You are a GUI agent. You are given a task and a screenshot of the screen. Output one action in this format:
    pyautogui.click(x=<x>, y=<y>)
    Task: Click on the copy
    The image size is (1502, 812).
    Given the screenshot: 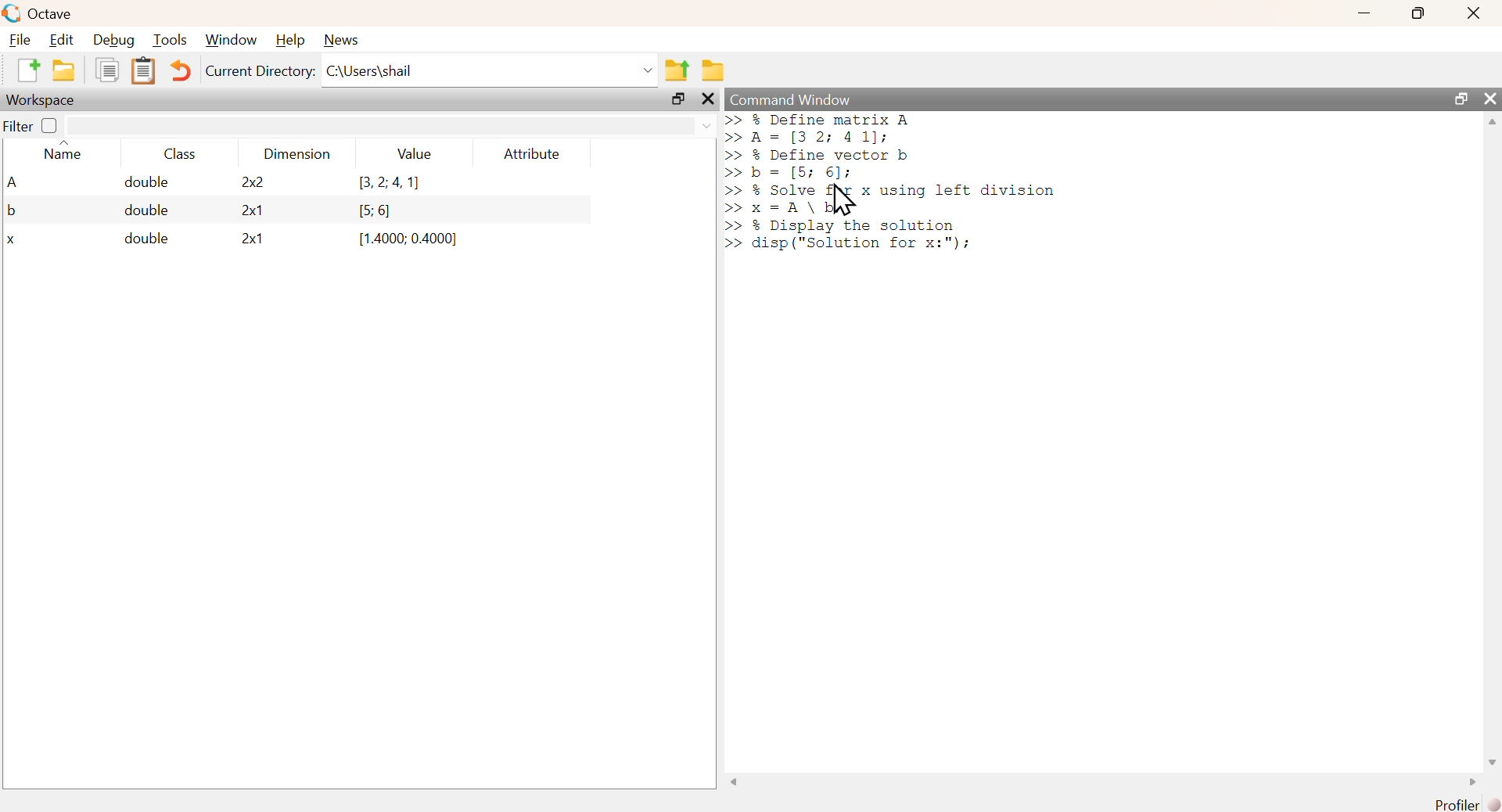 What is the action you would take?
    pyautogui.click(x=106, y=73)
    